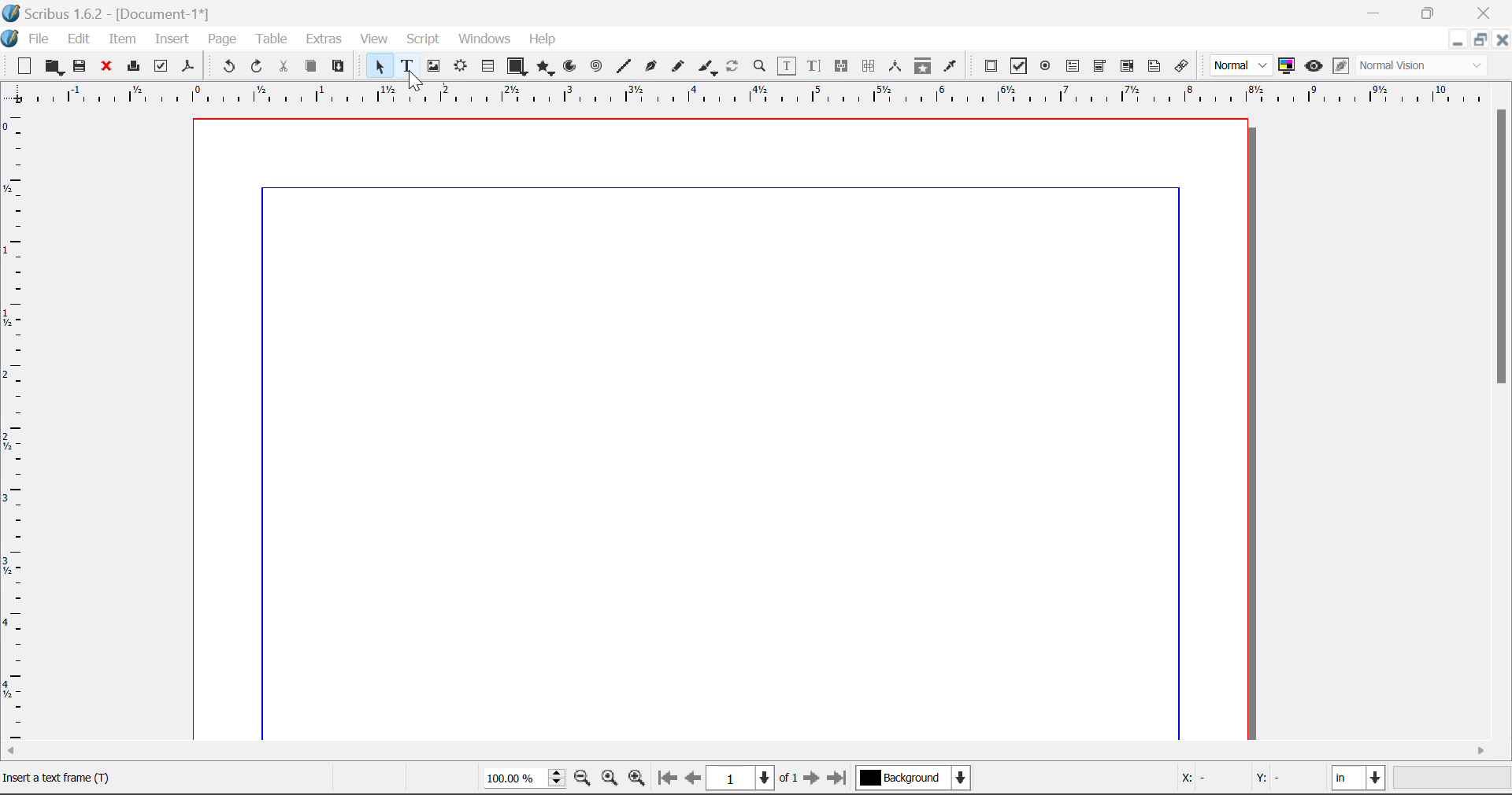 The width and height of the screenshot is (1512, 795). What do you see at coordinates (460, 67) in the screenshot?
I see `Render Frame` at bounding box center [460, 67].